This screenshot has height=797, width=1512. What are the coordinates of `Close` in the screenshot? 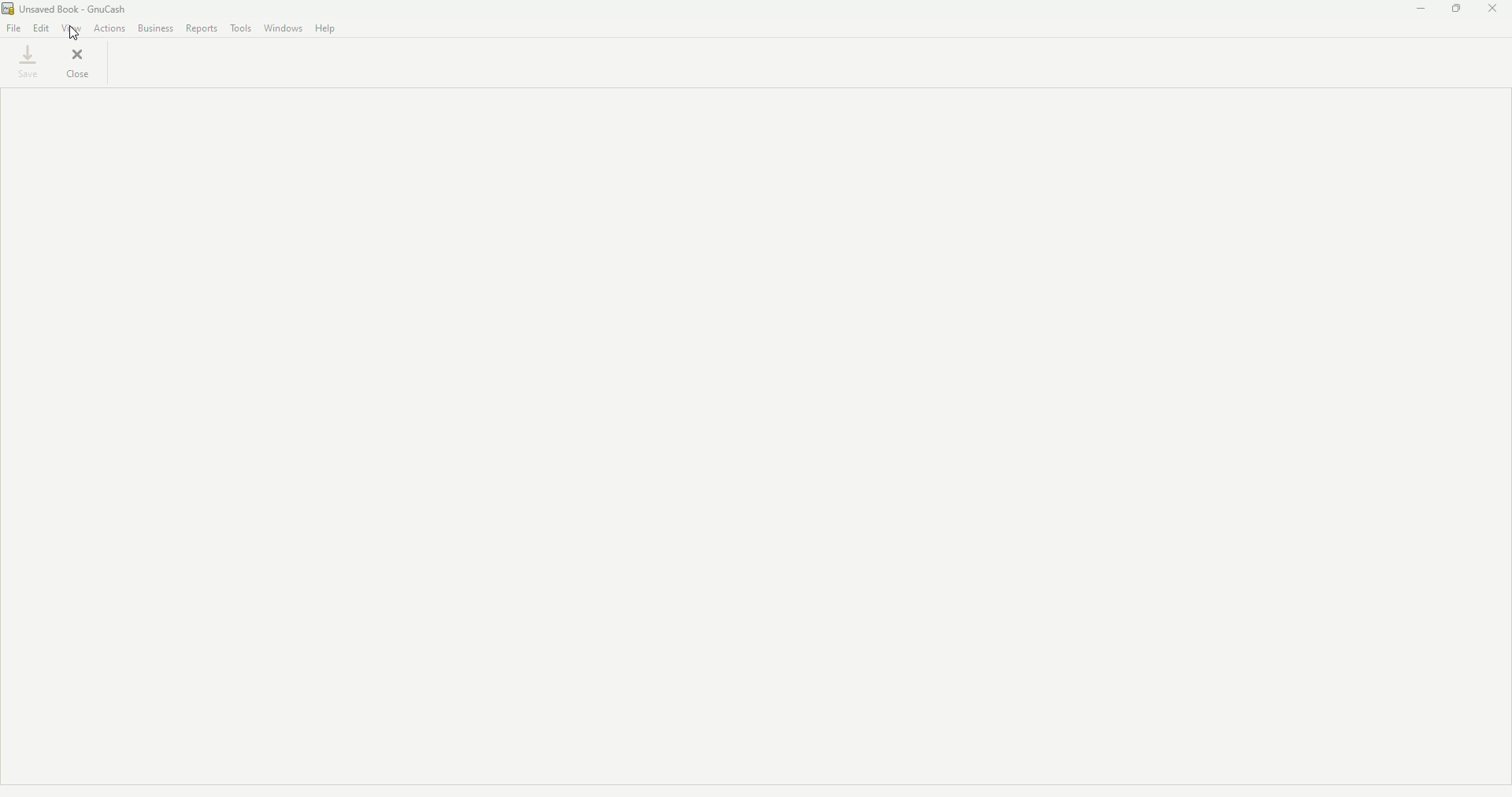 It's located at (1495, 9).